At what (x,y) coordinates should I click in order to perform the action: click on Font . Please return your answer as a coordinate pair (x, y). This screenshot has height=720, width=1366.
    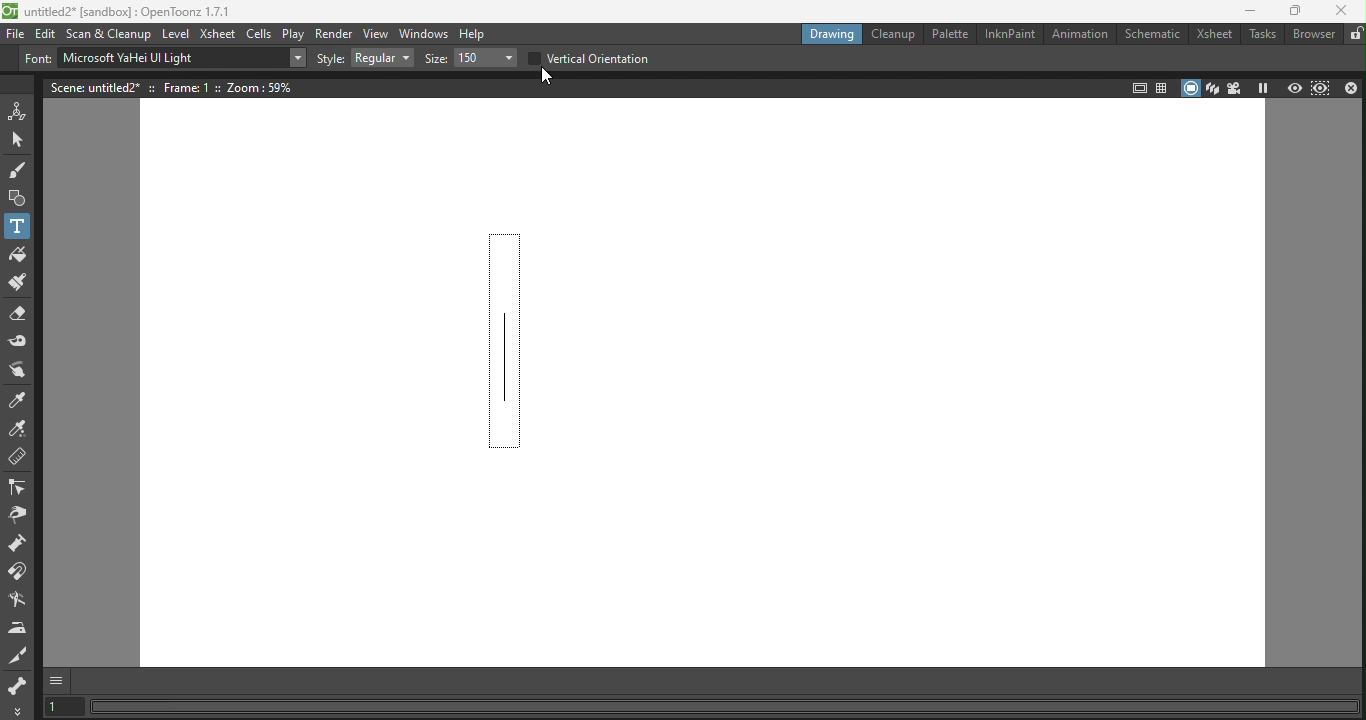
    Looking at the image, I should click on (36, 59).